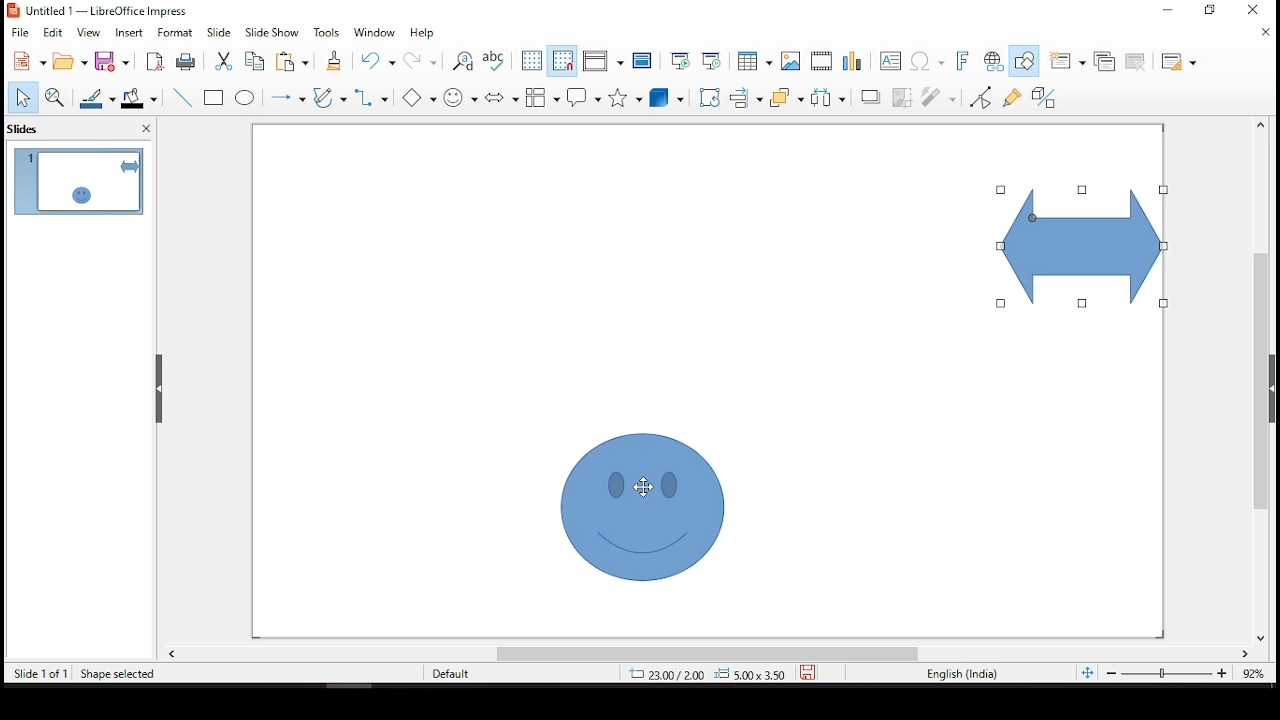 Image resolution: width=1280 pixels, height=720 pixels. What do you see at coordinates (785, 97) in the screenshot?
I see `arrange` at bounding box center [785, 97].